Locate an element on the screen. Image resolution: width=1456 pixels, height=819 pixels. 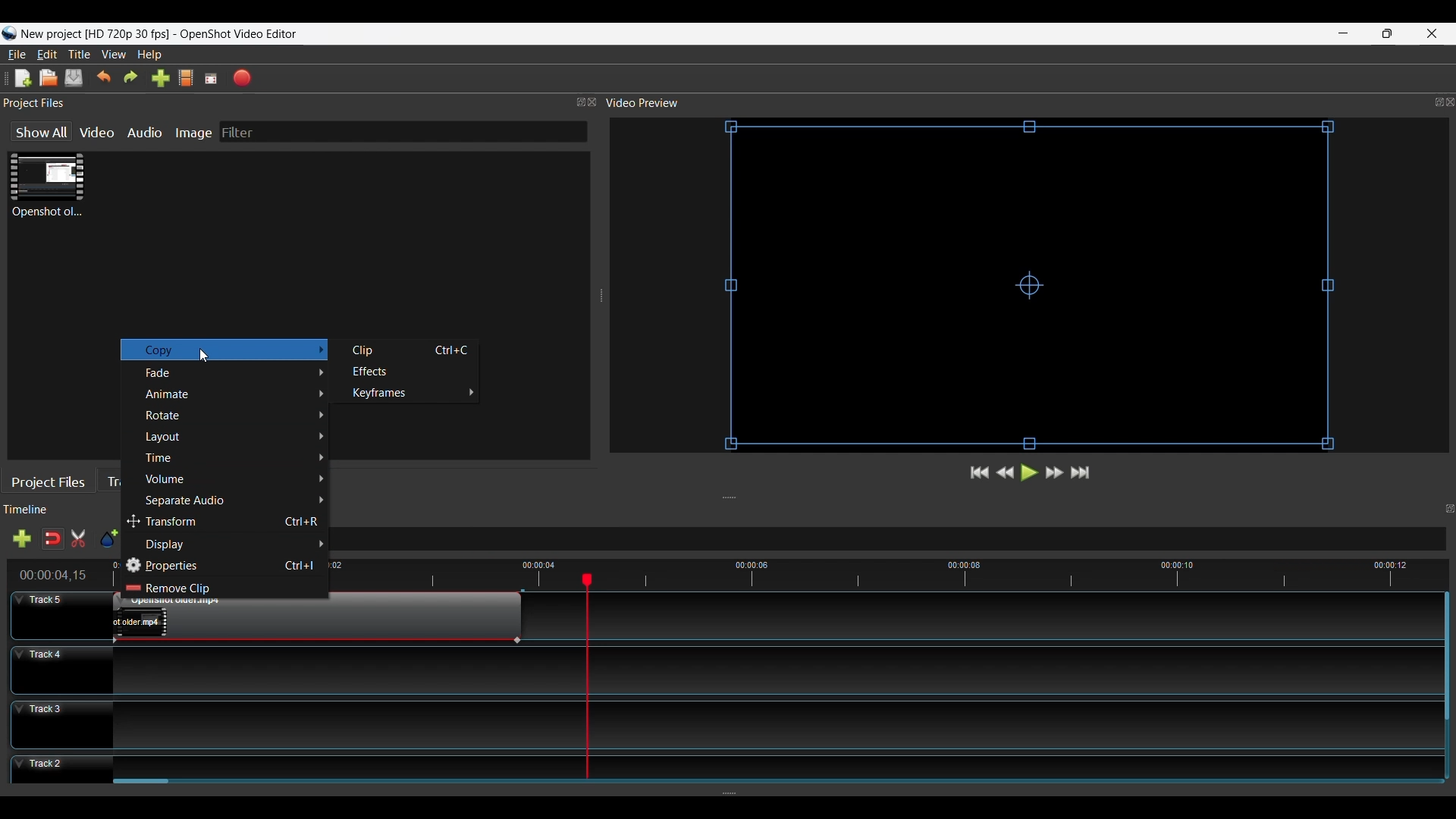
Animate is located at coordinates (234, 394).